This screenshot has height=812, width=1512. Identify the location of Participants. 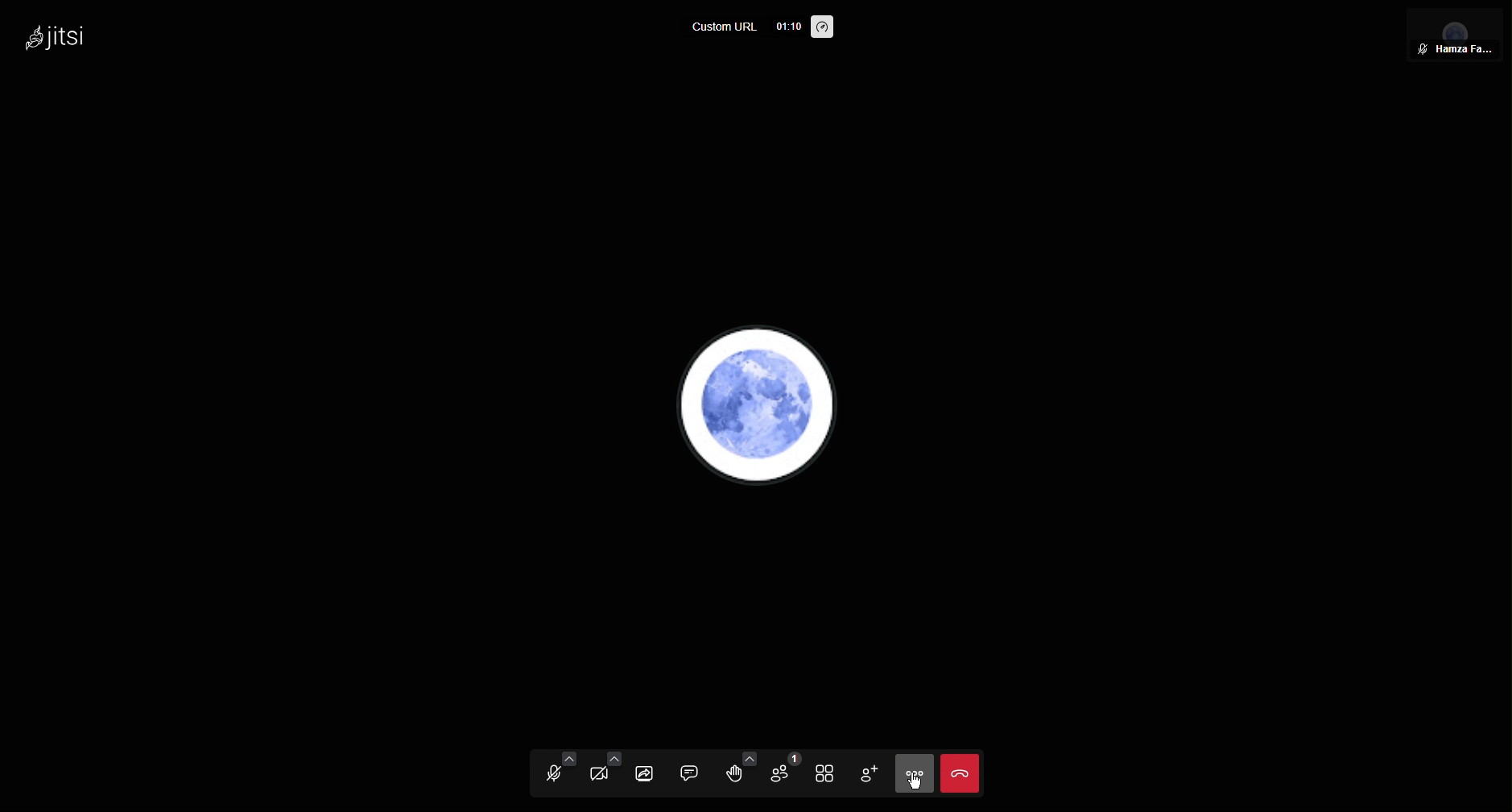
(788, 774).